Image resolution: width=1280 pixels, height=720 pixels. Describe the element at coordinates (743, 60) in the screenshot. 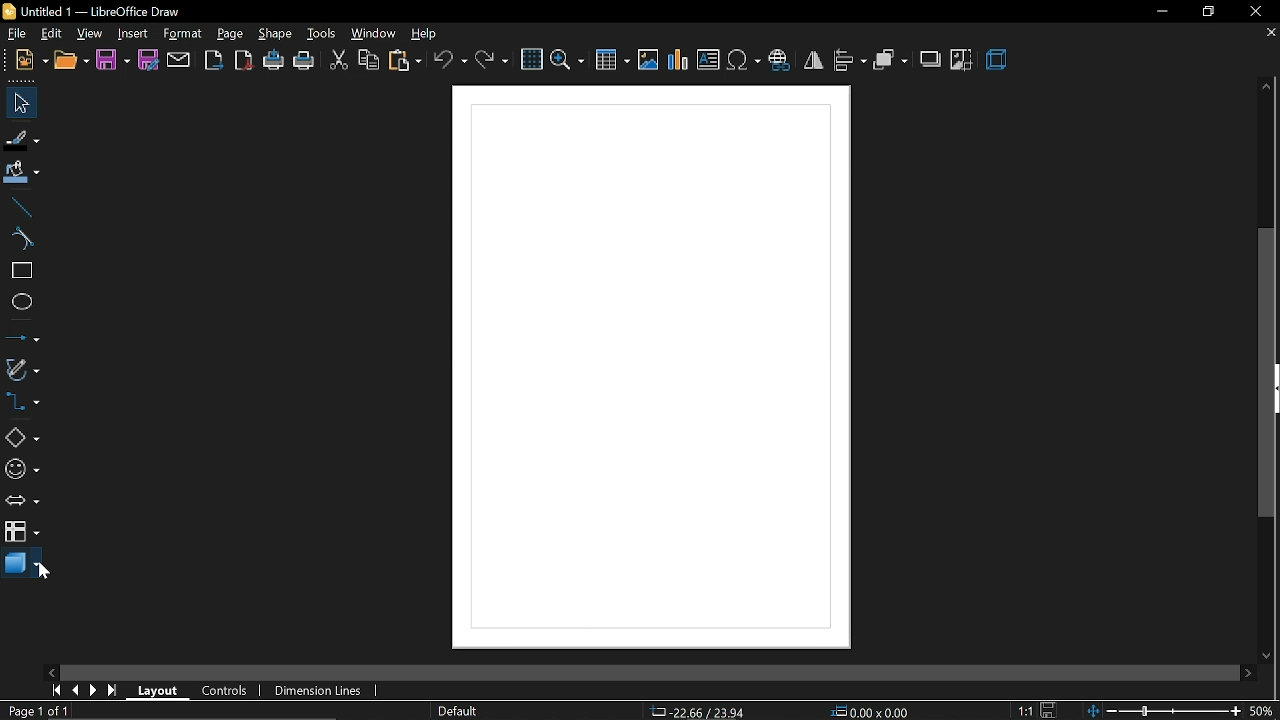

I see `insert symbol` at that location.